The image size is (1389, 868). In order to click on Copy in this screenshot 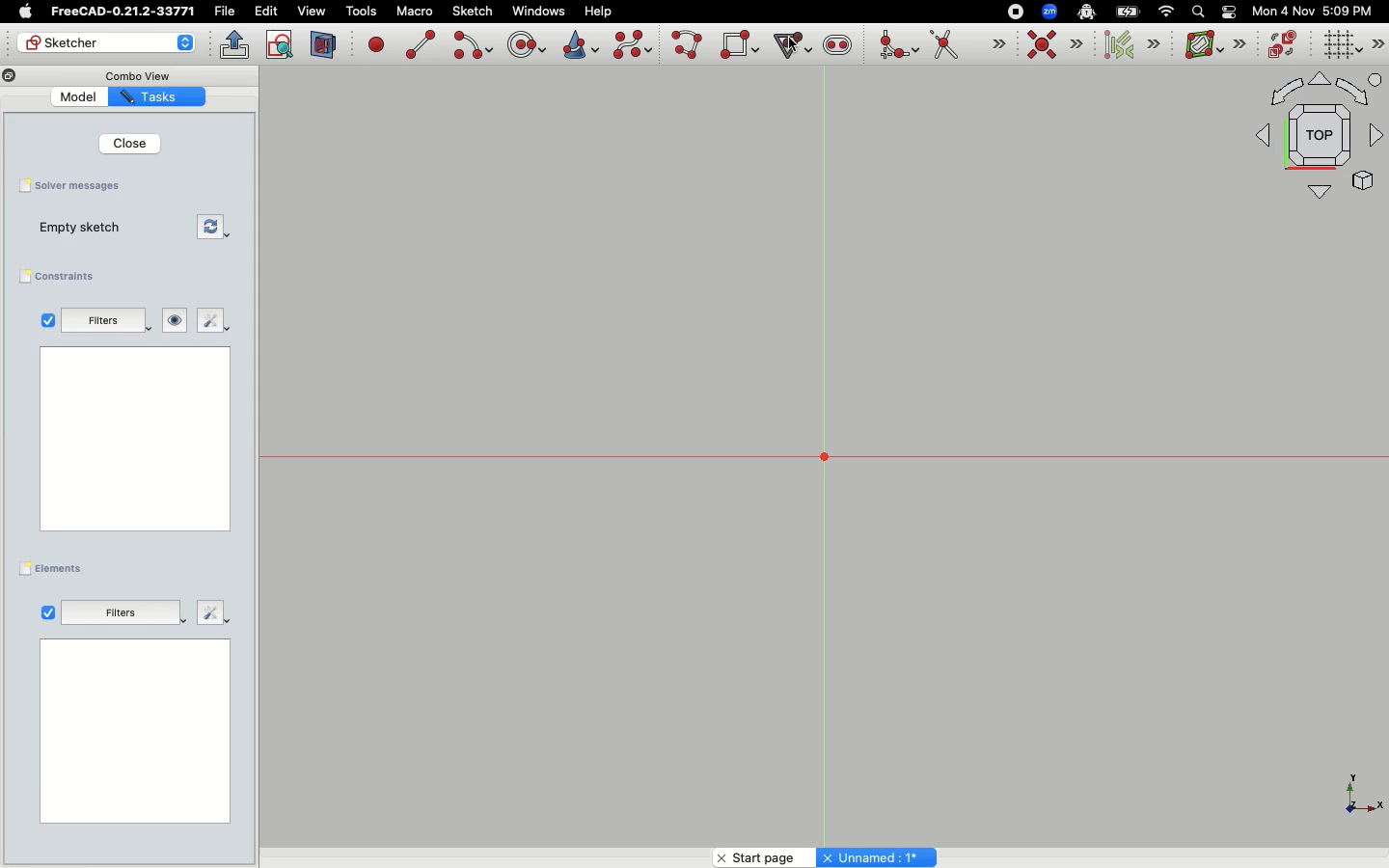, I will do `click(14, 83)`.